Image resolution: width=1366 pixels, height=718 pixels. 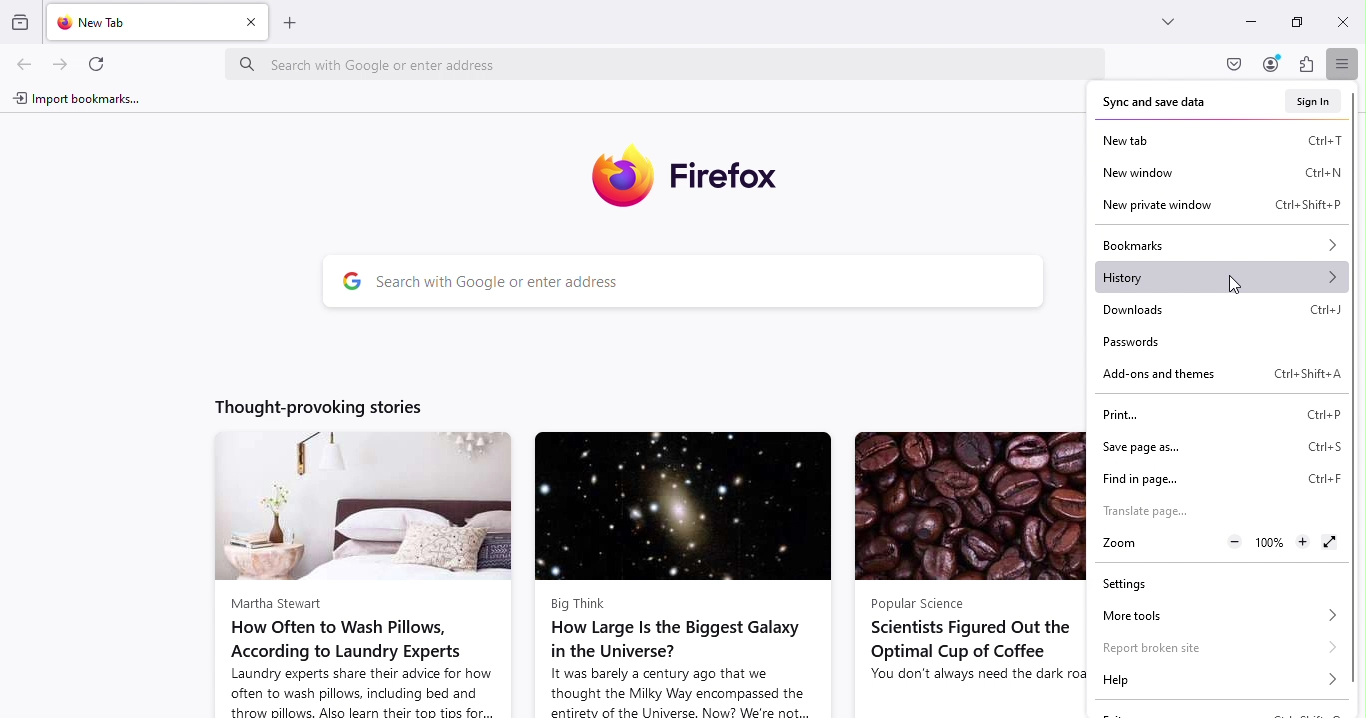 I want to click on Open application menu, so click(x=1339, y=62).